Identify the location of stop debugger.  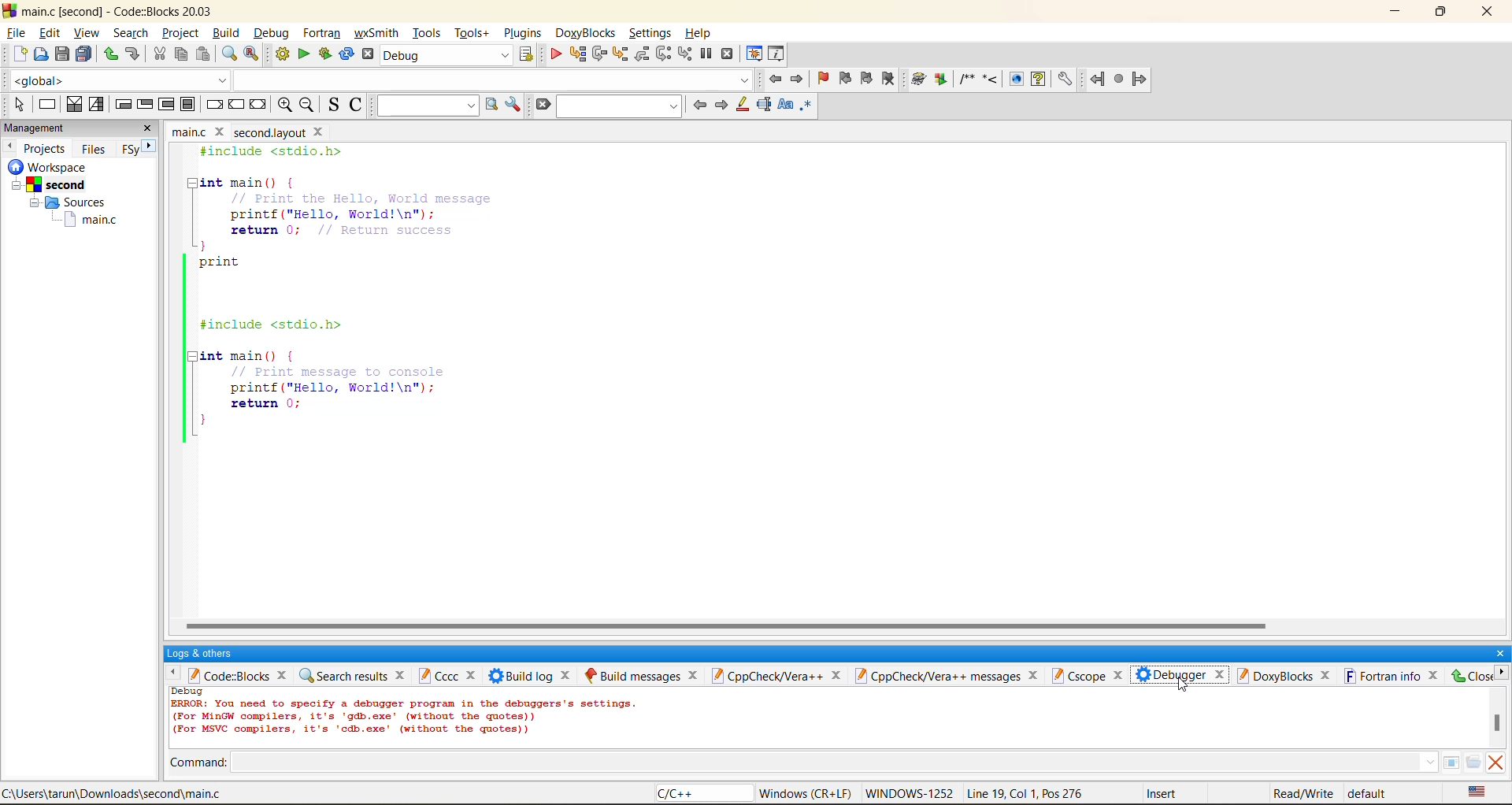
(730, 53).